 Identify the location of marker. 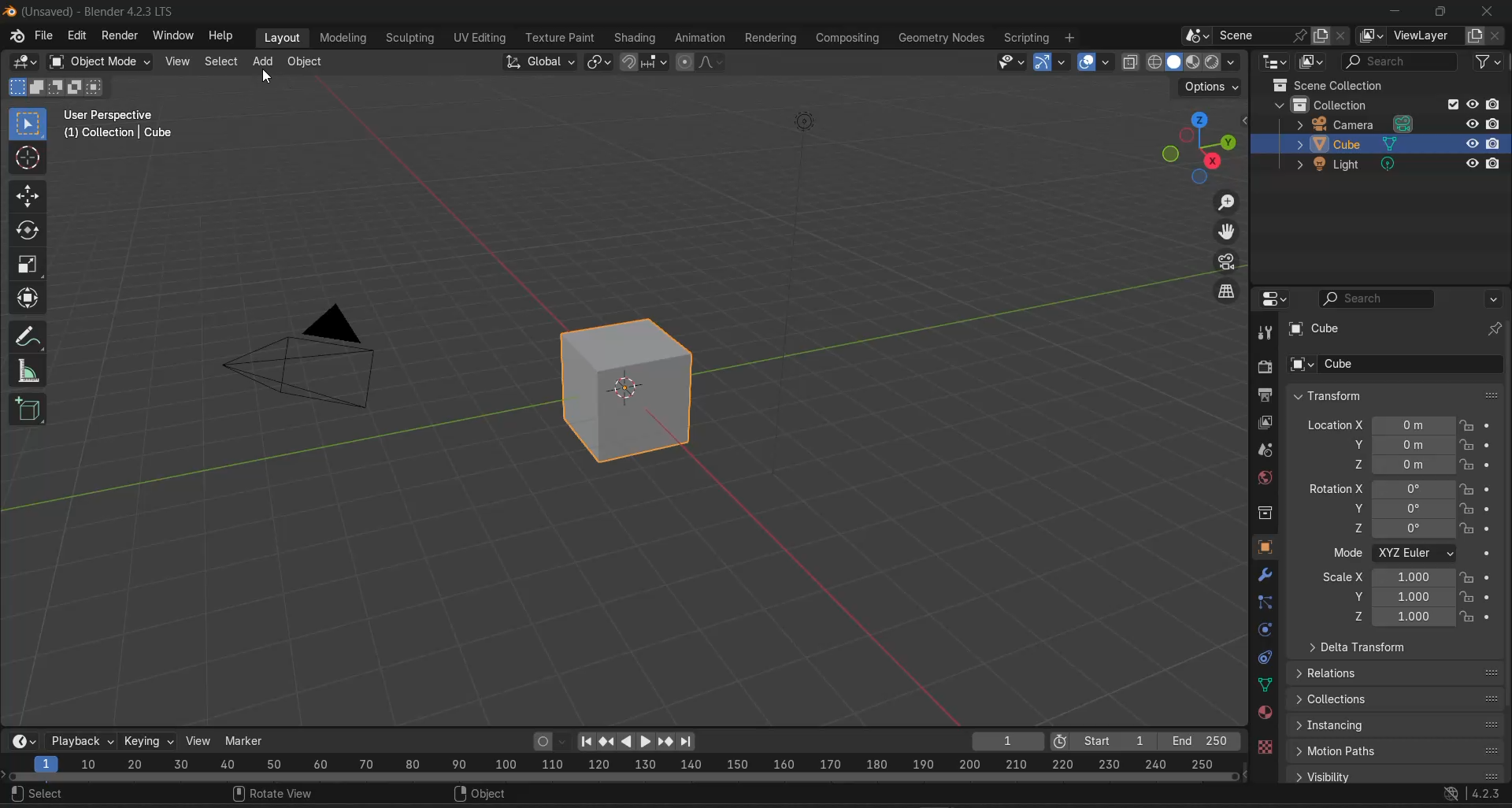
(246, 741).